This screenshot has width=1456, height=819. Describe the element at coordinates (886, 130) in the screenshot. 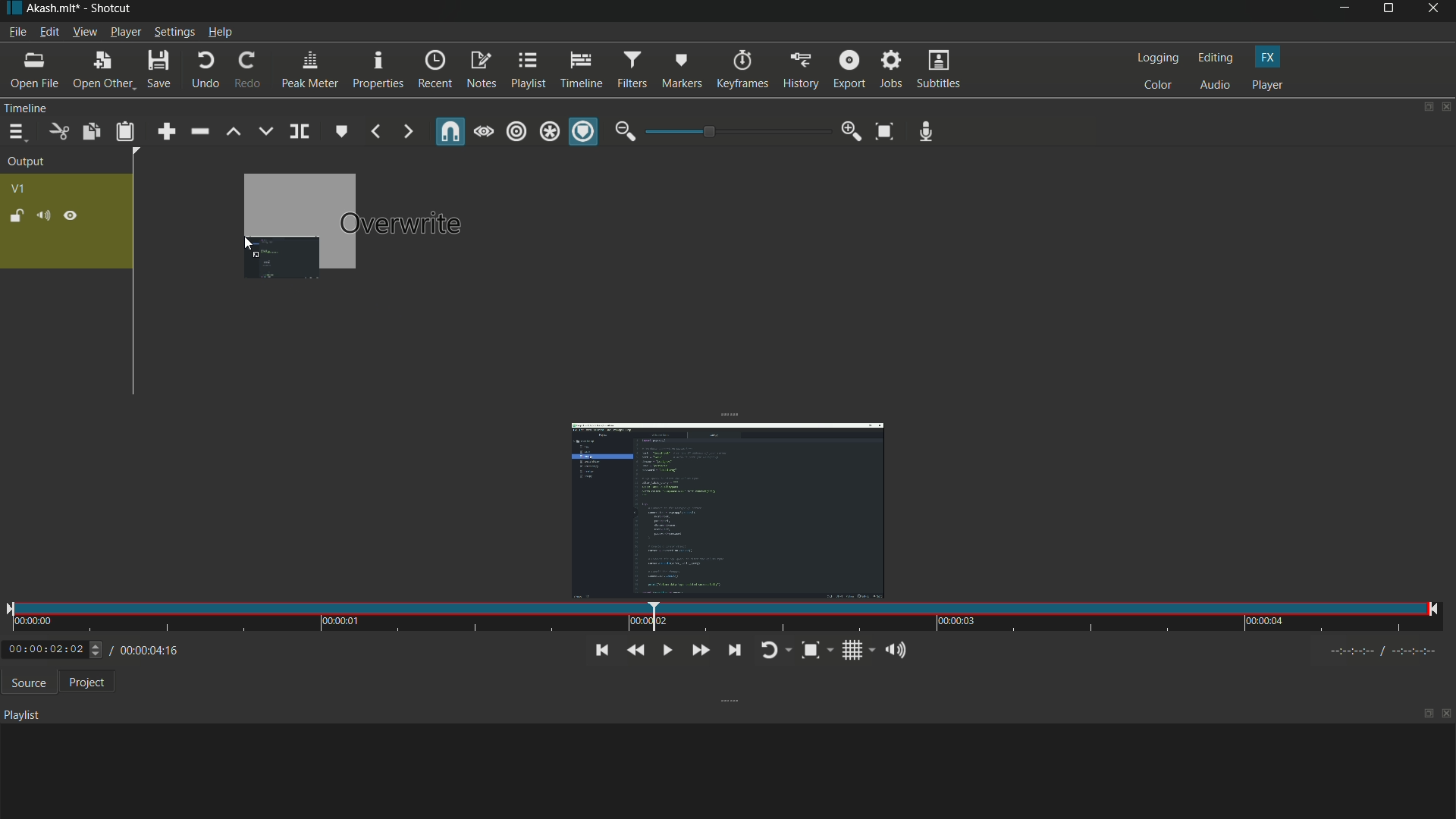

I see `toggle zoom` at that location.